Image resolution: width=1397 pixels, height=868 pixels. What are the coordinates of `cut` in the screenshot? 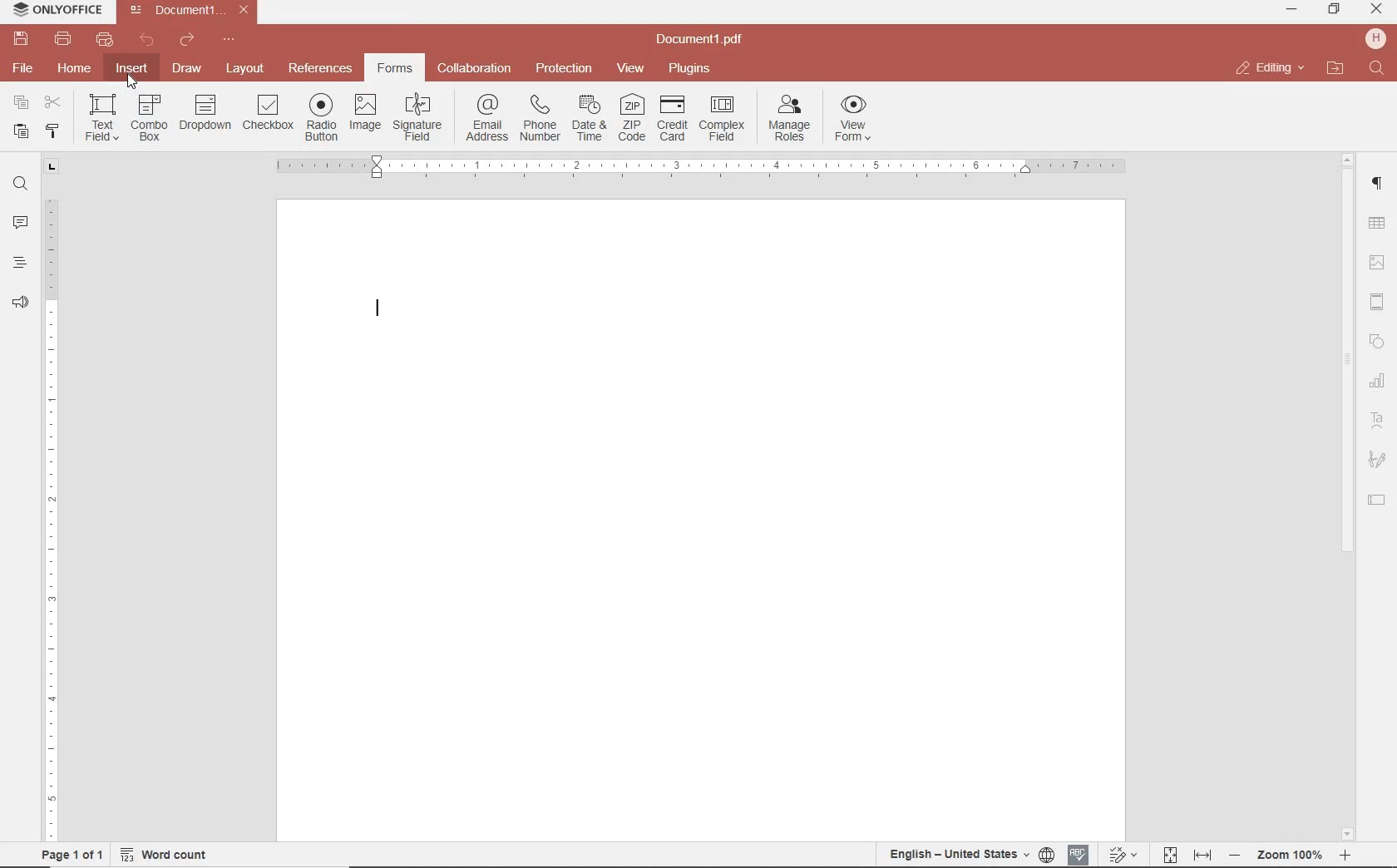 It's located at (52, 104).